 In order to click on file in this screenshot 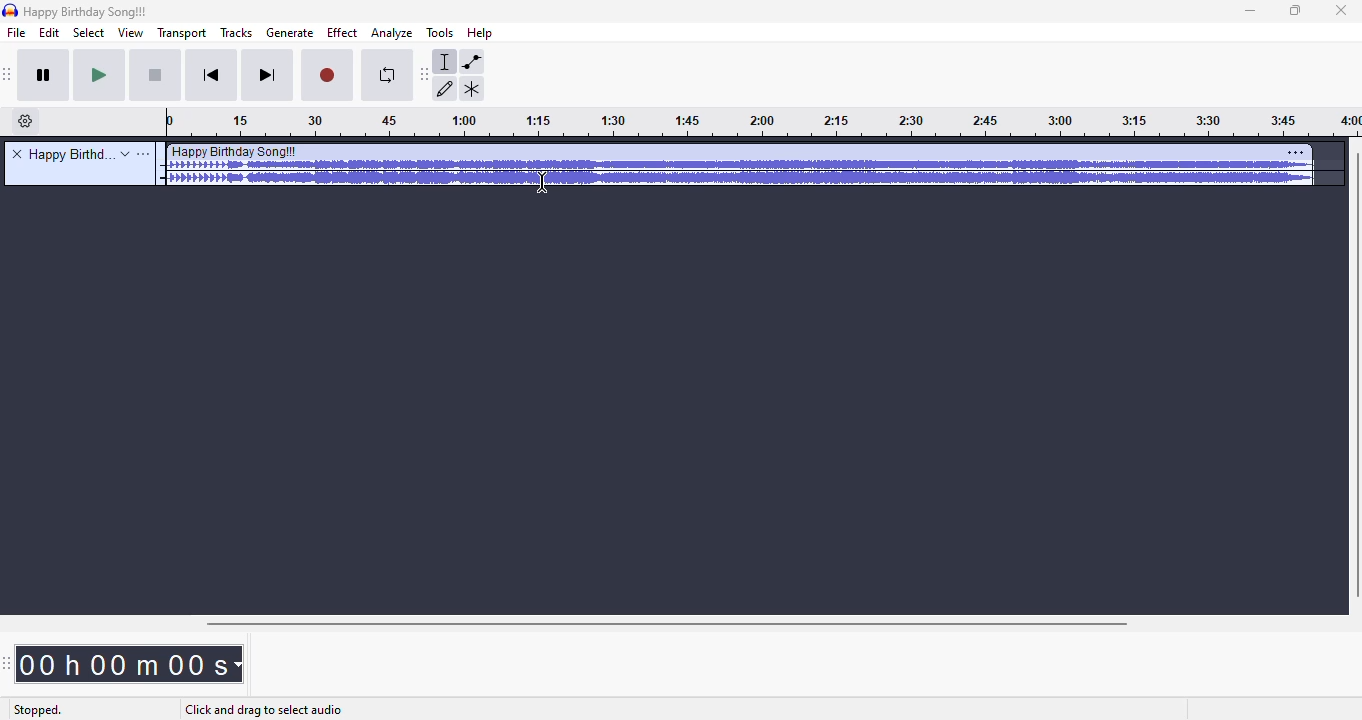, I will do `click(17, 33)`.